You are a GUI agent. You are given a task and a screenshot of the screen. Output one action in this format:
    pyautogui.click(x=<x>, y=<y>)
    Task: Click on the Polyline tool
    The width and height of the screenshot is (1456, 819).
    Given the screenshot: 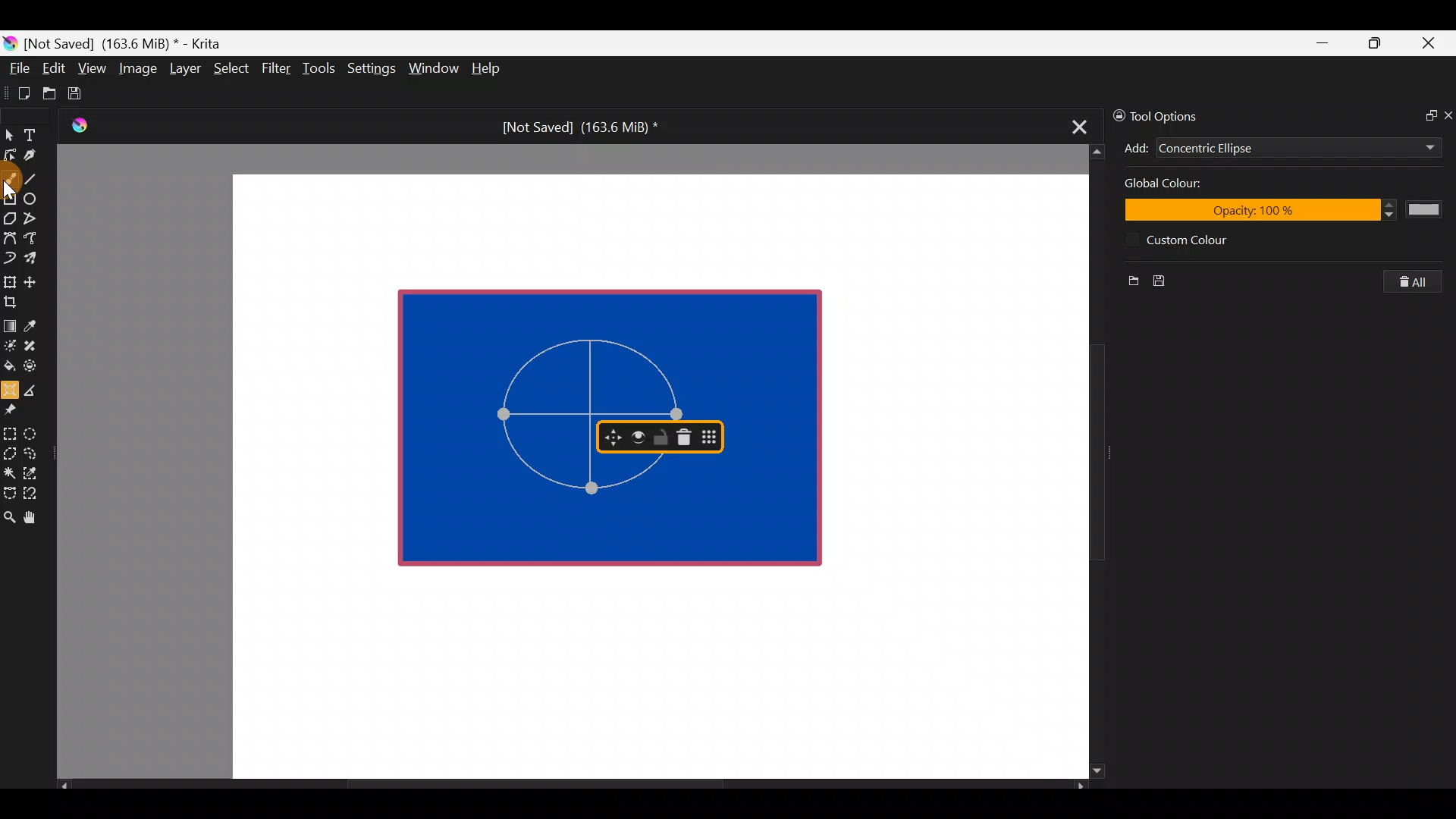 What is the action you would take?
    pyautogui.click(x=36, y=219)
    